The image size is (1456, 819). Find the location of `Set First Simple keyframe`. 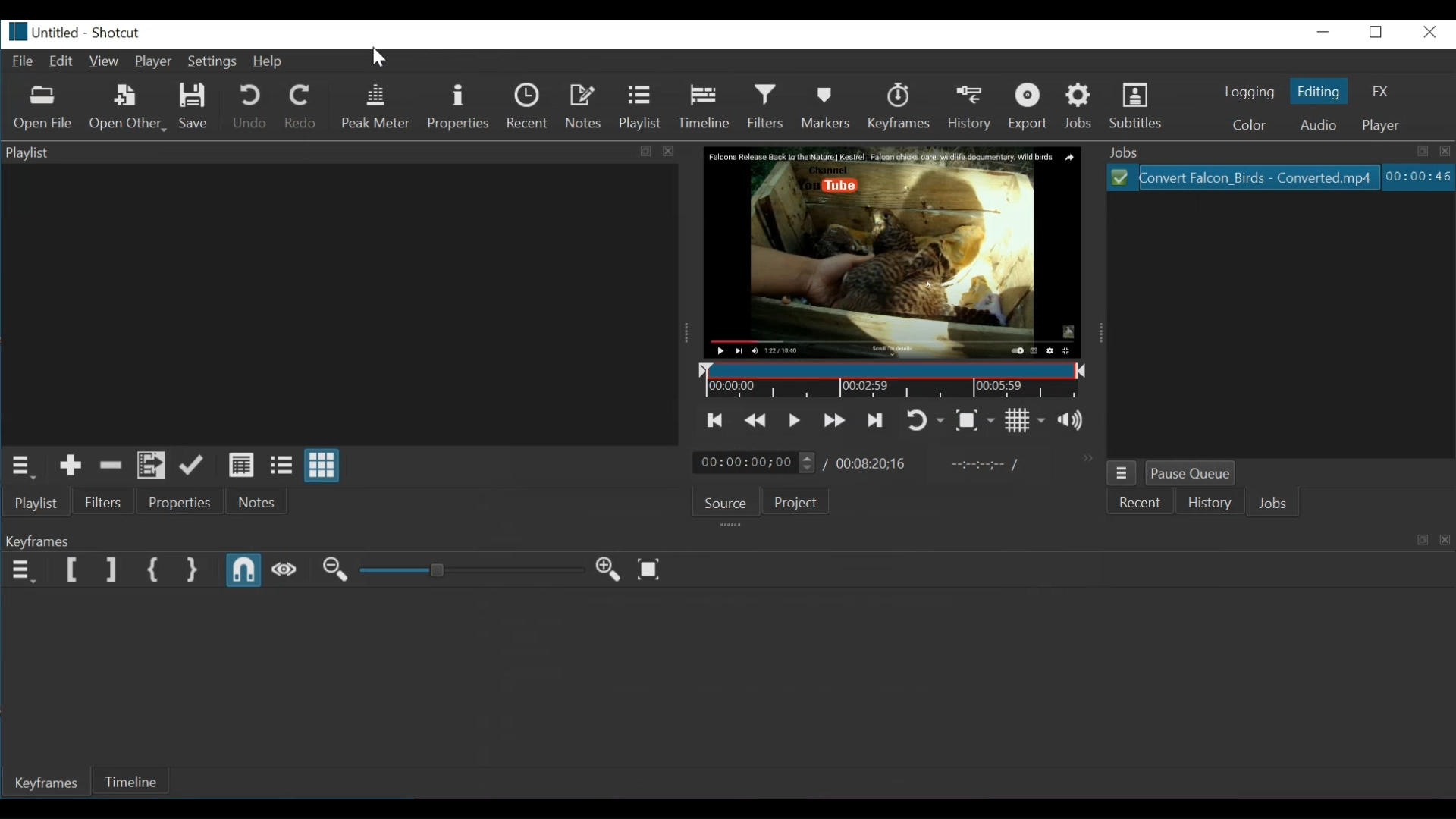

Set First Simple keyframe is located at coordinates (155, 571).